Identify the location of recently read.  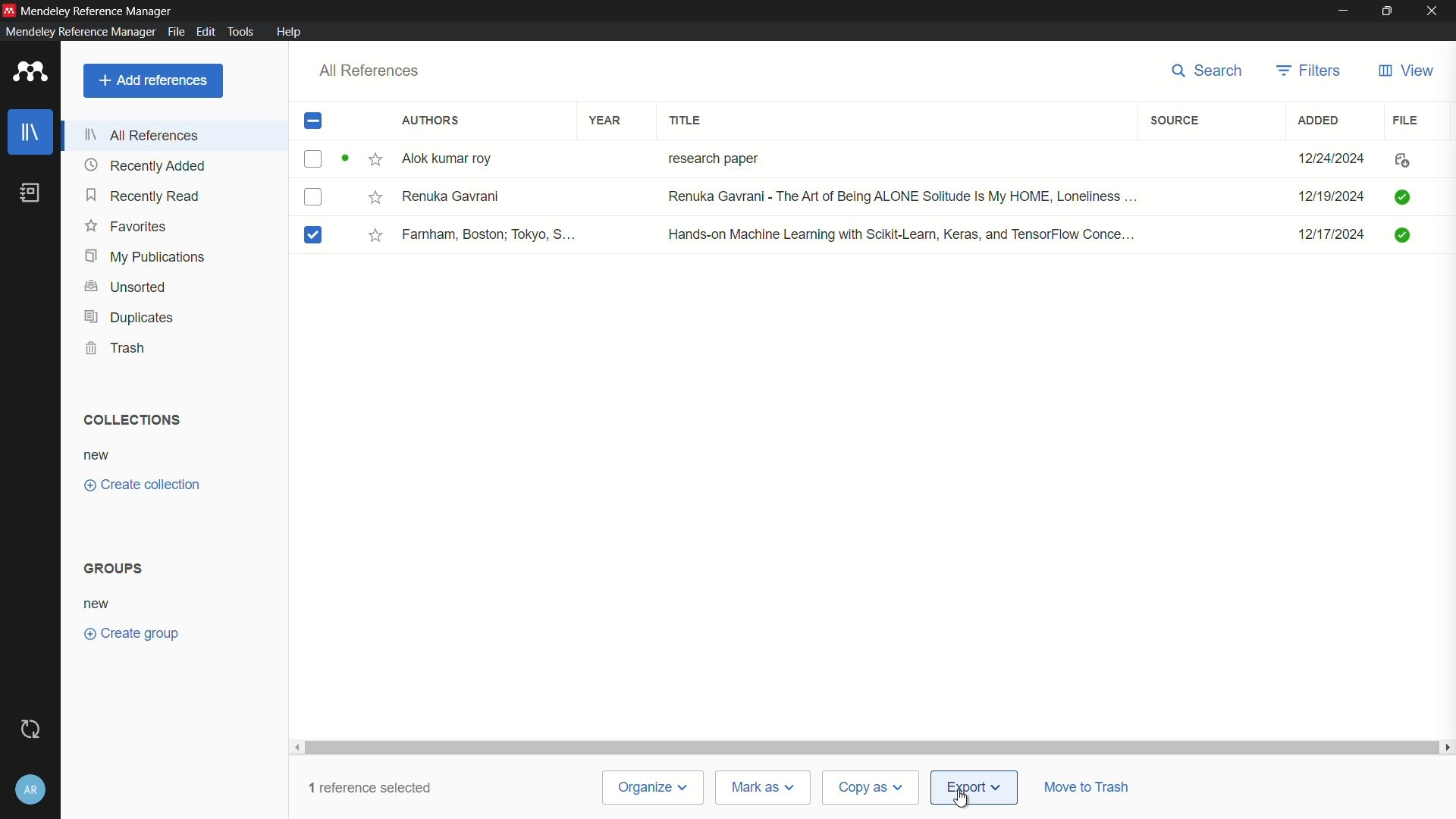
(143, 195).